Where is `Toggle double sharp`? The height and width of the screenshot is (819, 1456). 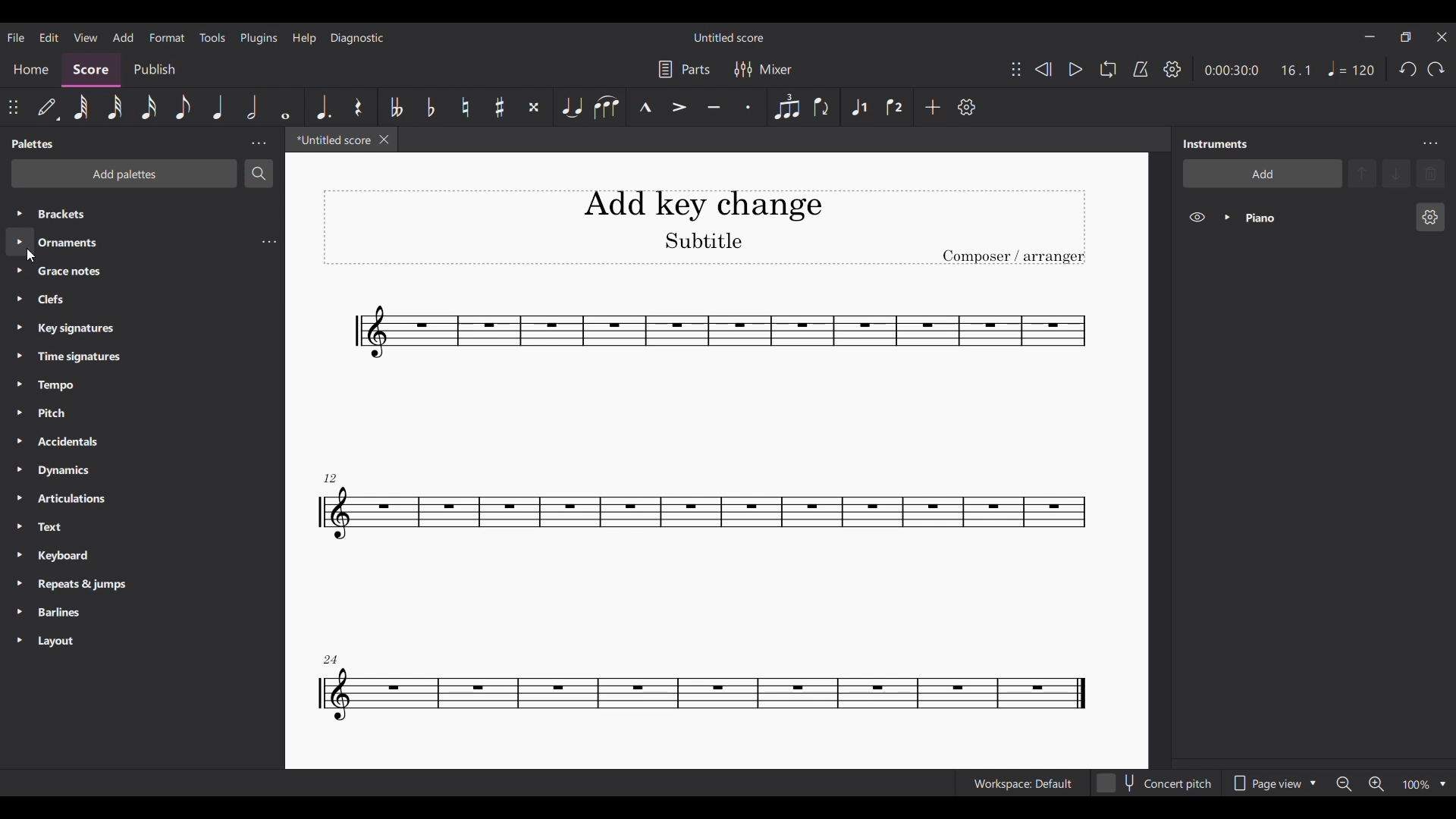 Toggle double sharp is located at coordinates (534, 106).